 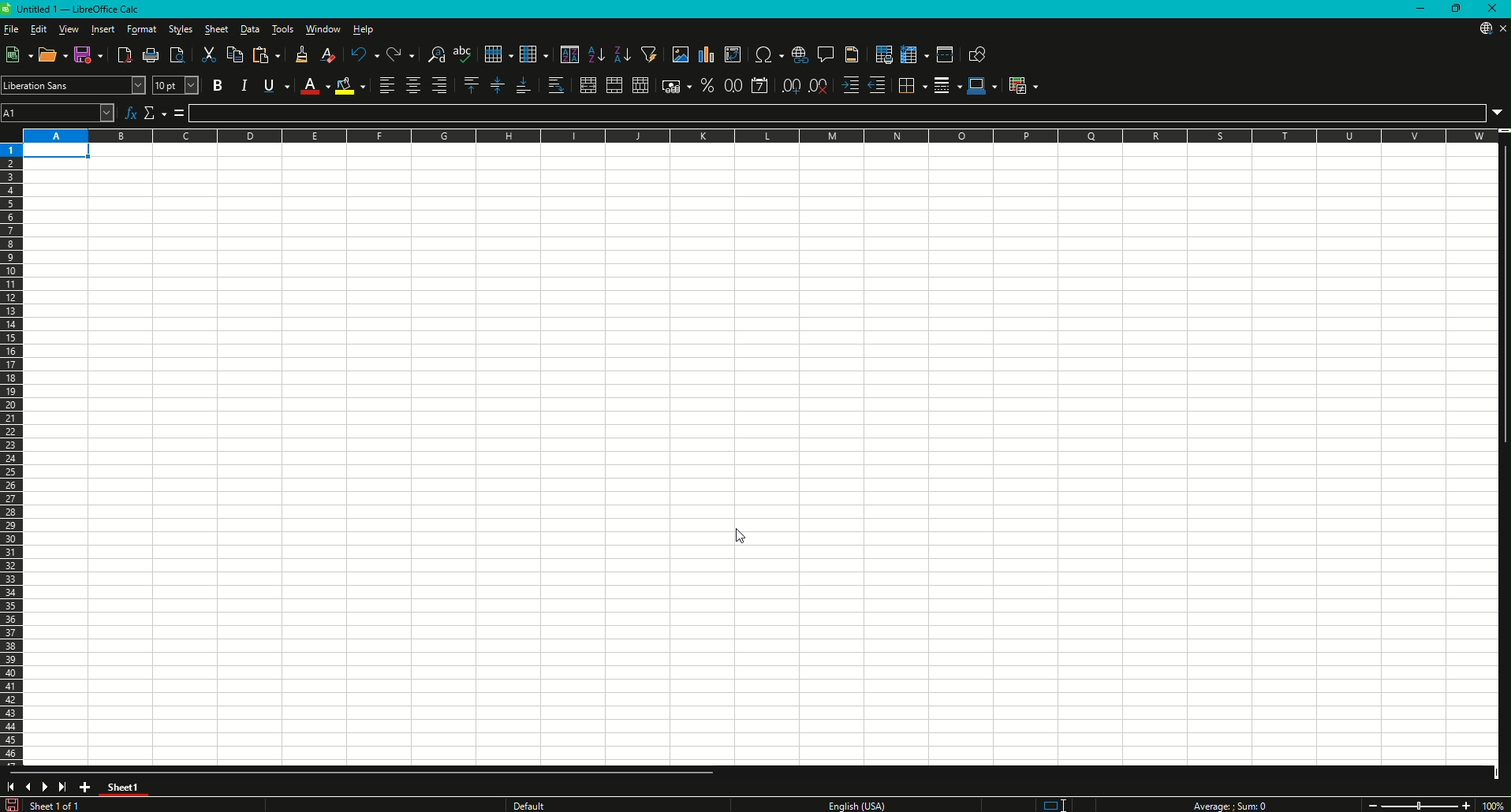 I want to click on Expand Formula Bar, so click(x=1498, y=114).